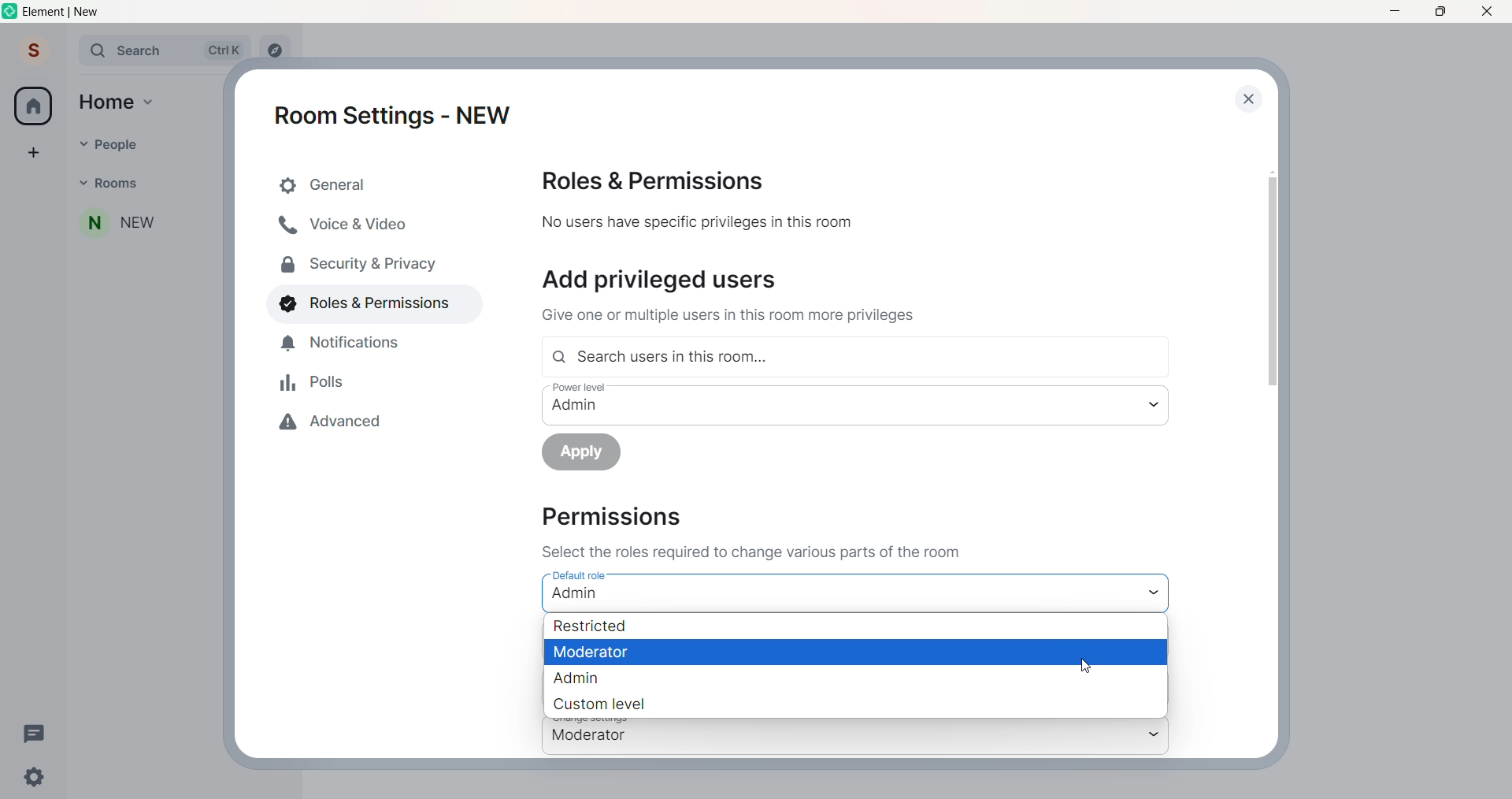  Describe the element at coordinates (1245, 98) in the screenshot. I see `close dialog` at that location.